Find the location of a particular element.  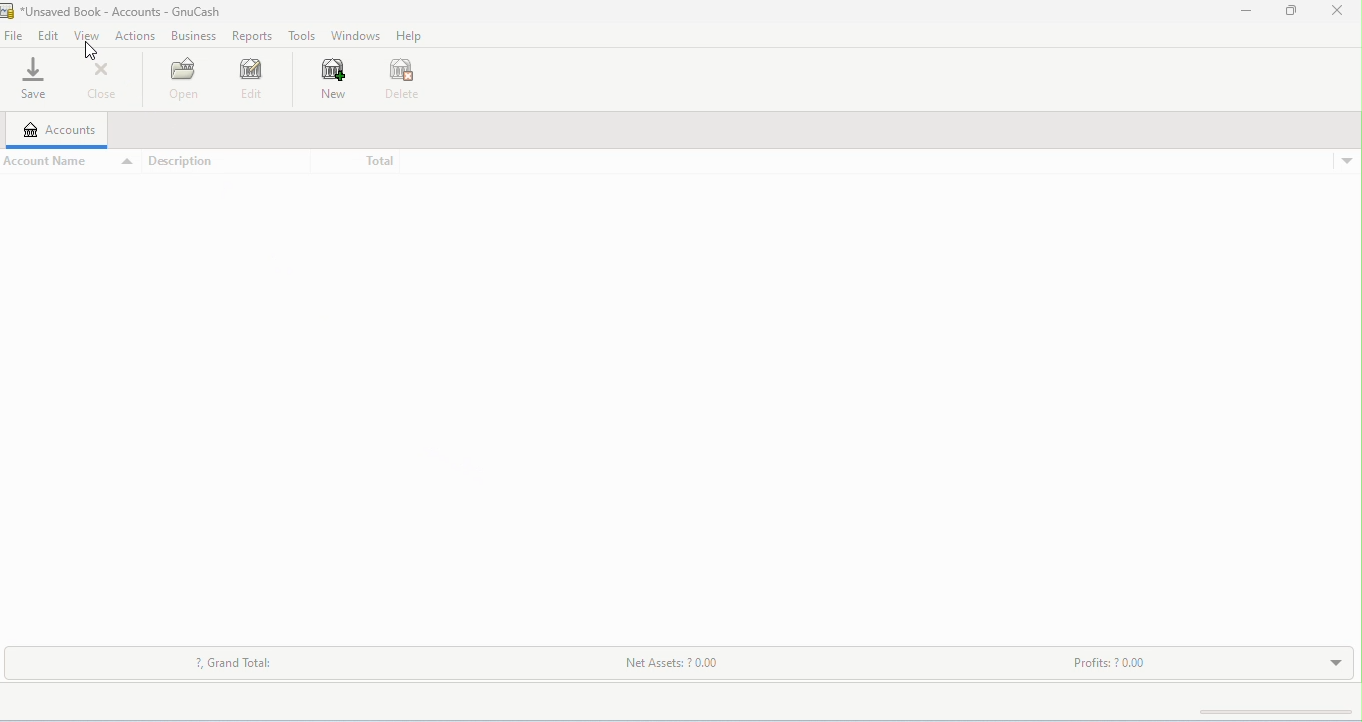

net assets is located at coordinates (689, 662).